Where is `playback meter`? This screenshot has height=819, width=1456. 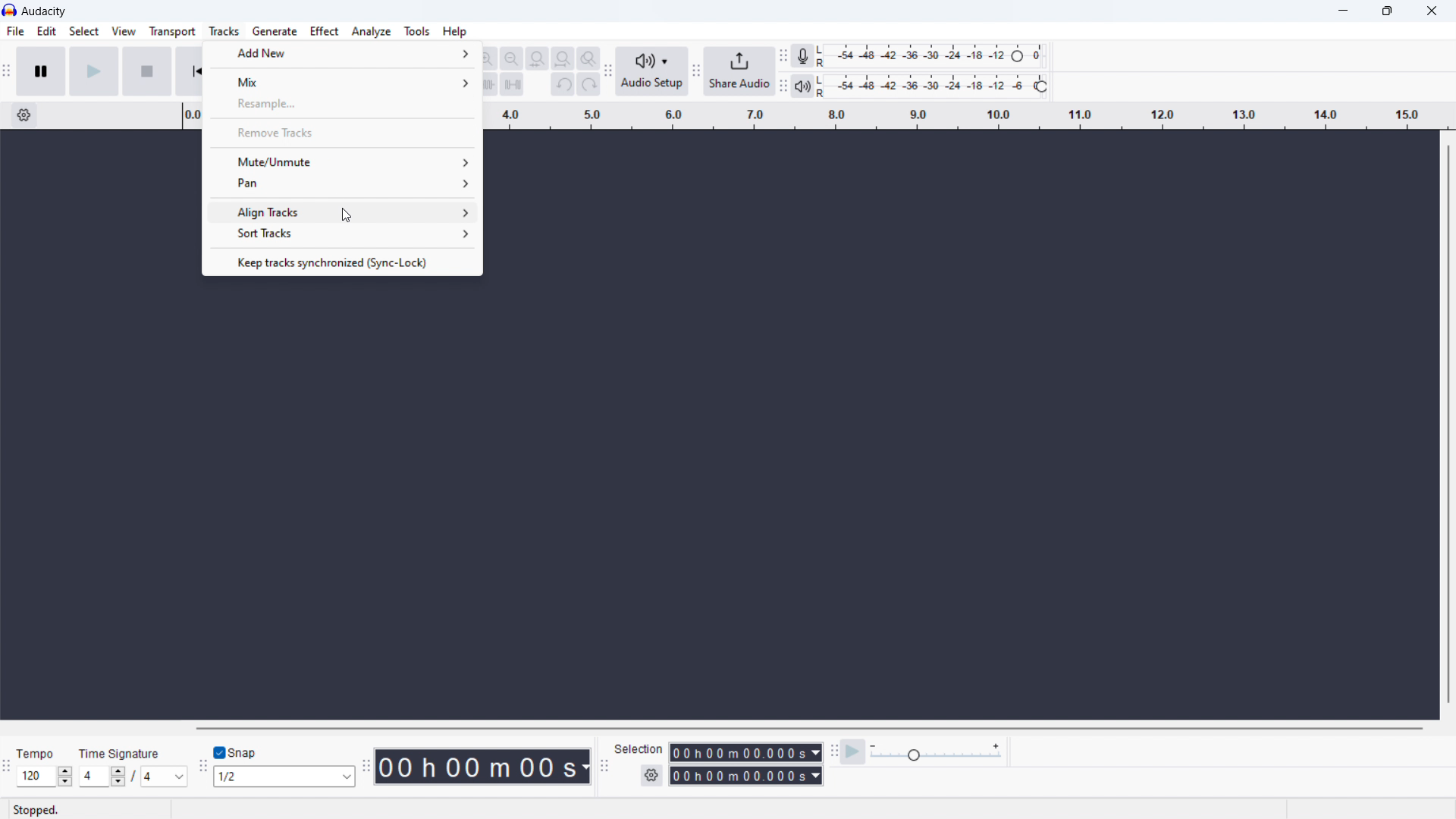 playback meter is located at coordinates (802, 86).